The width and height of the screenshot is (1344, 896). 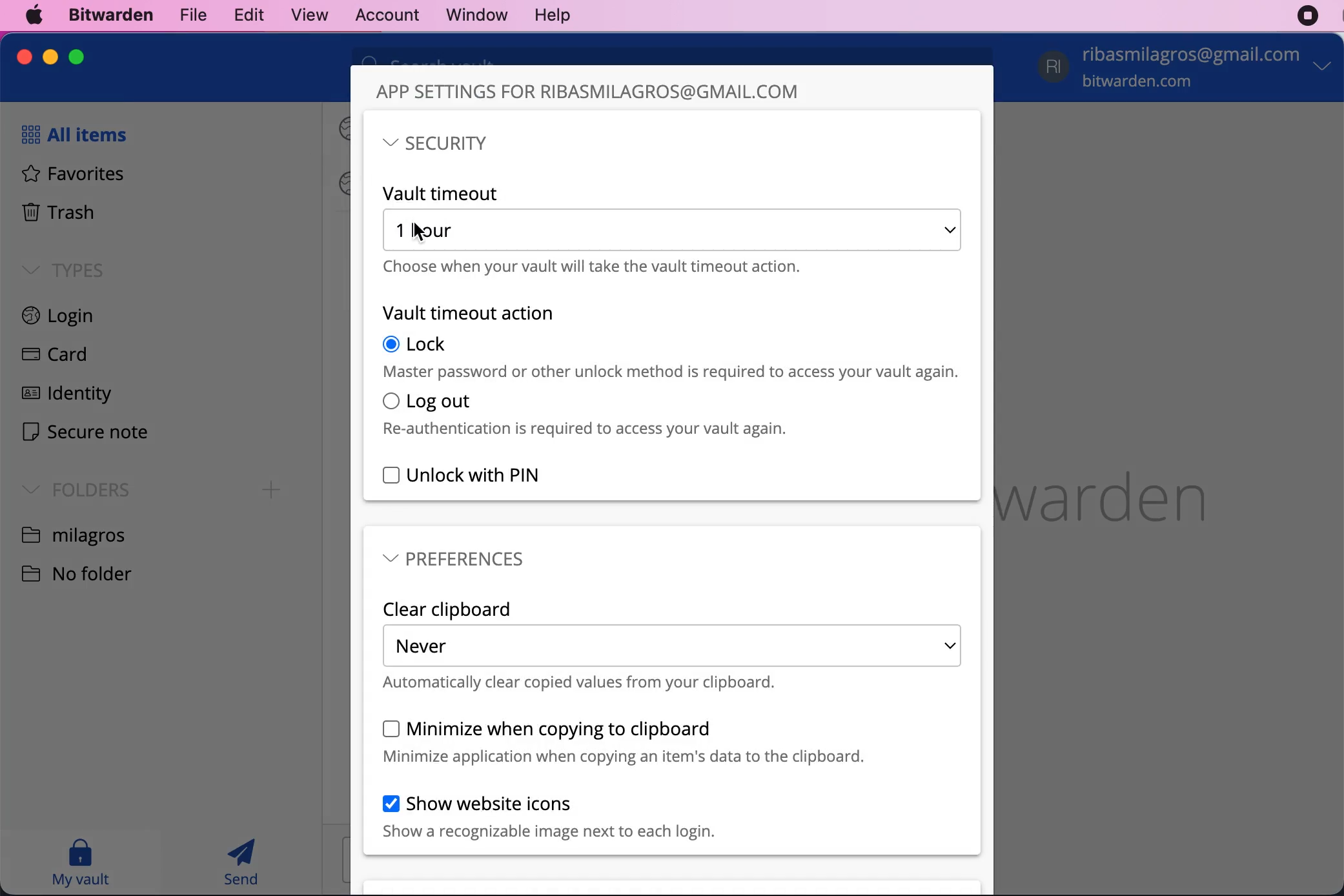 What do you see at coordinates (303, 15) in the screenshot?
I see `view` at bounding box center [303, 15].